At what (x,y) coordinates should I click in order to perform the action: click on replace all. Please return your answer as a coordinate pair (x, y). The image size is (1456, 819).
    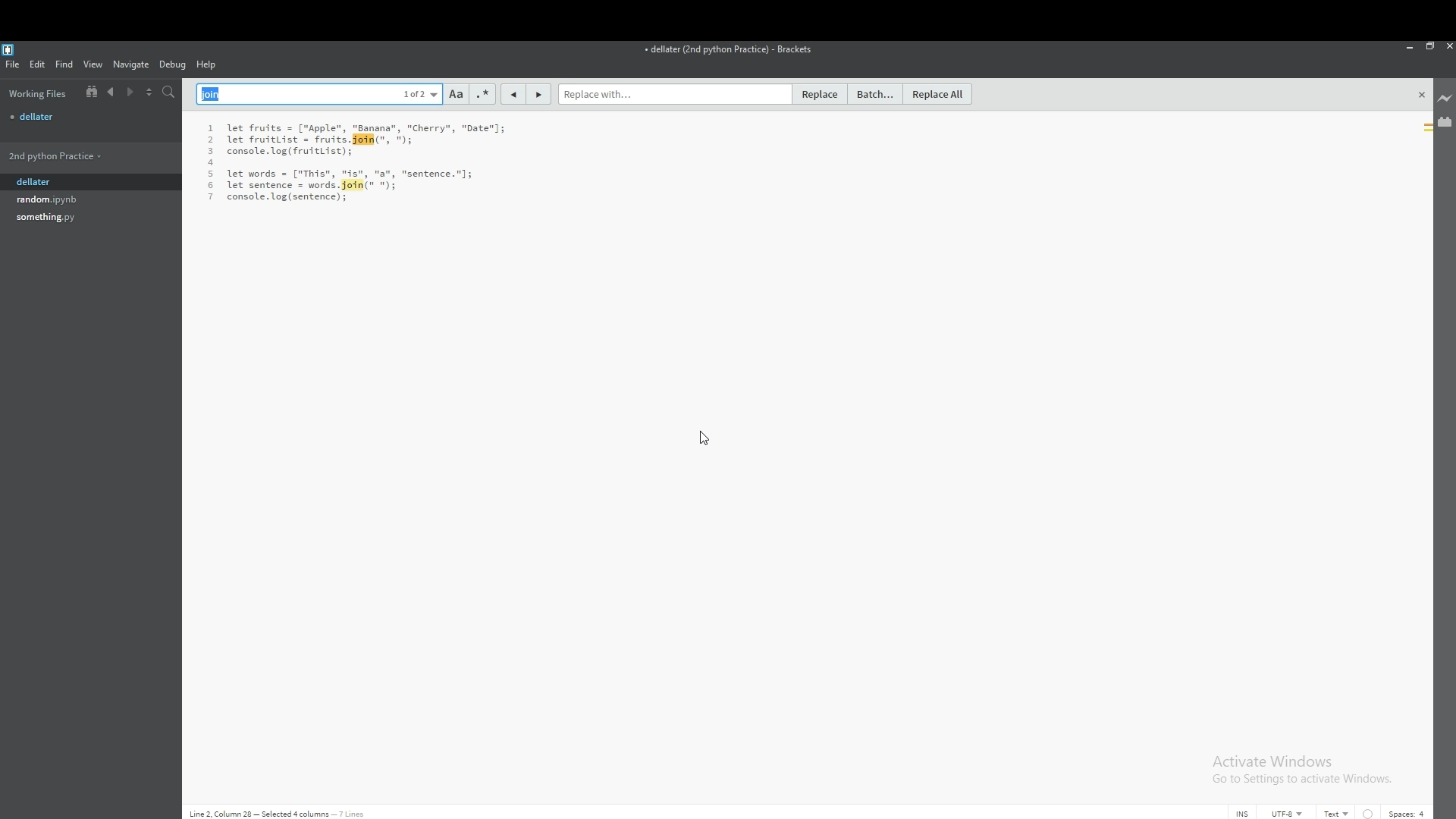
    Looking at the image, I should click on (939, 95).